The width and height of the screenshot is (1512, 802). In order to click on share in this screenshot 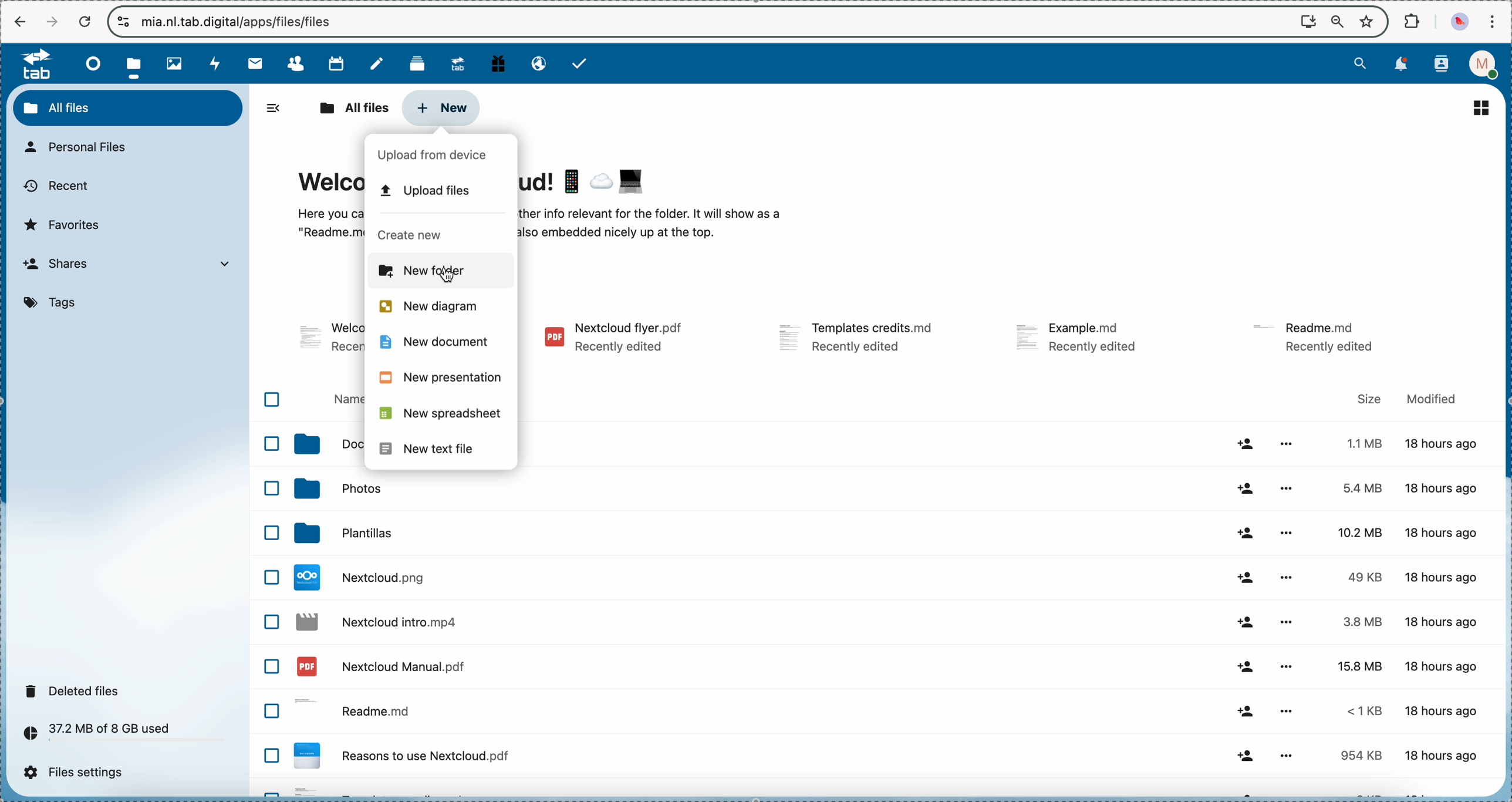, I will do `click(1245, 754)`.